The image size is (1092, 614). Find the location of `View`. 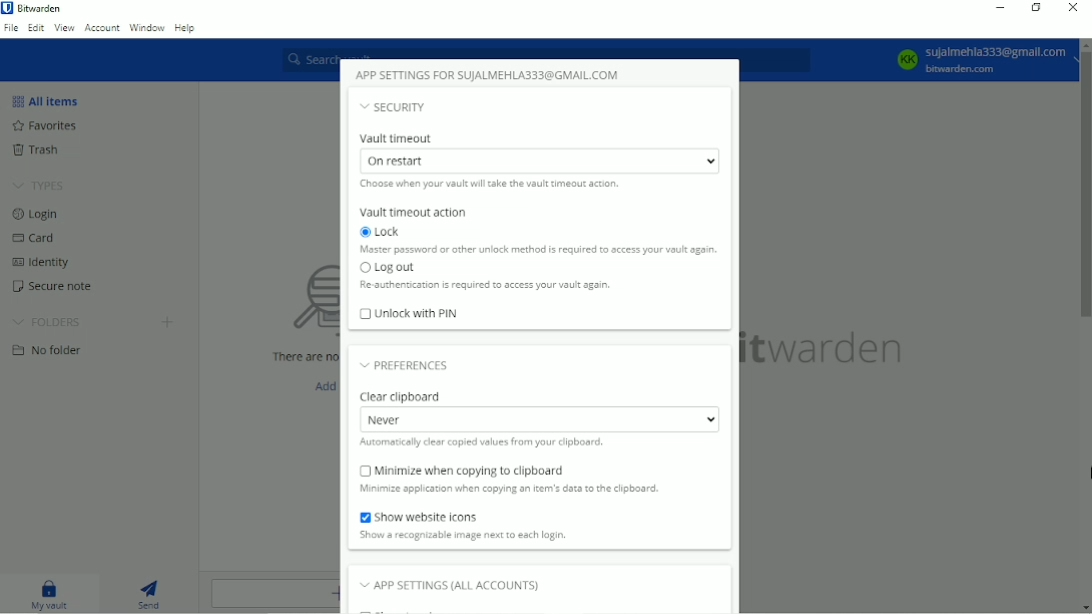

View is located at coordinates (63, 27).